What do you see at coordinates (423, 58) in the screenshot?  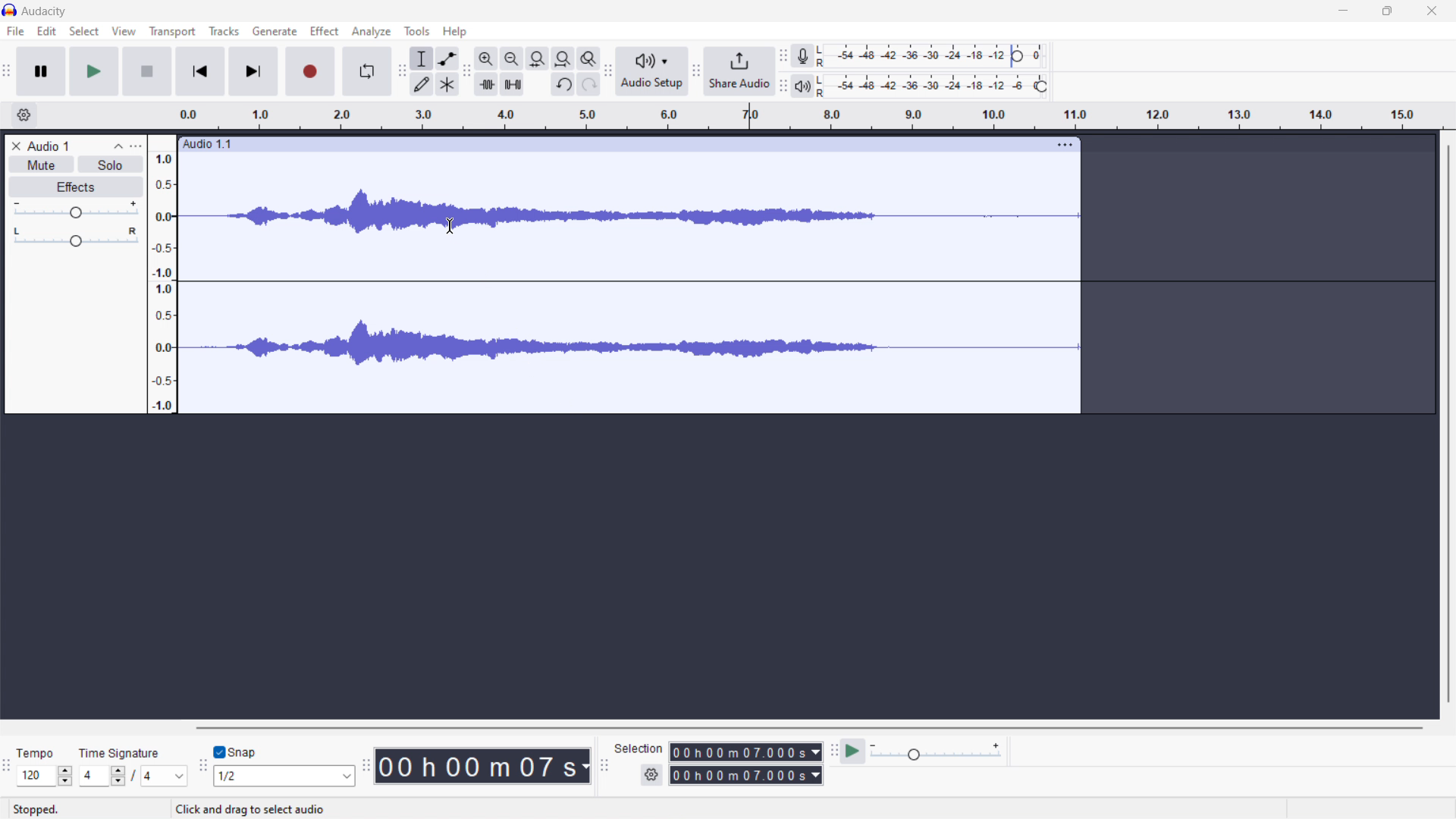 I see `selection tool` at bounding box center [423, 58].